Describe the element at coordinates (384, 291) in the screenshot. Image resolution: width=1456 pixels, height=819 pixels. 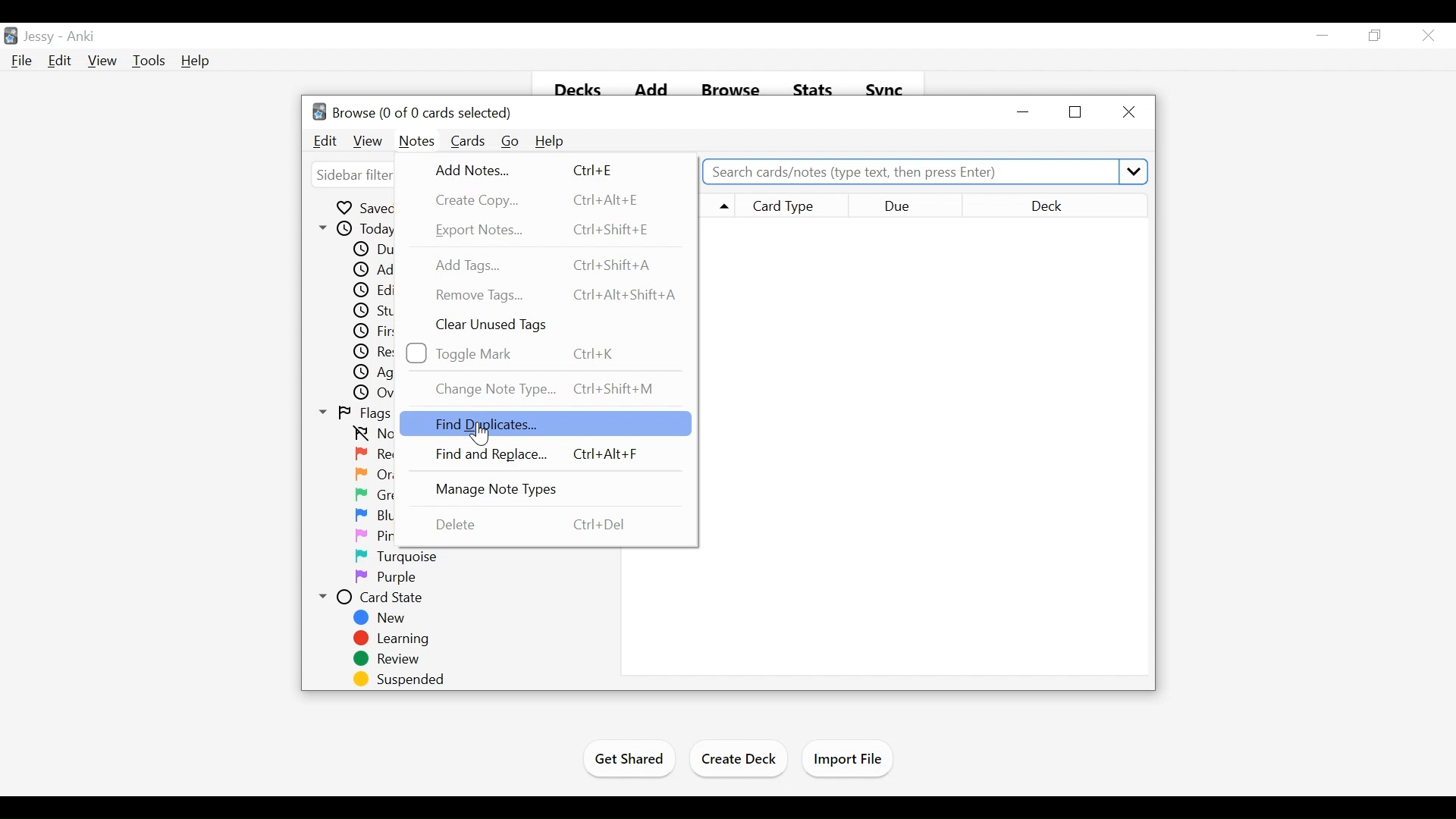
I see `Edited` at that location.